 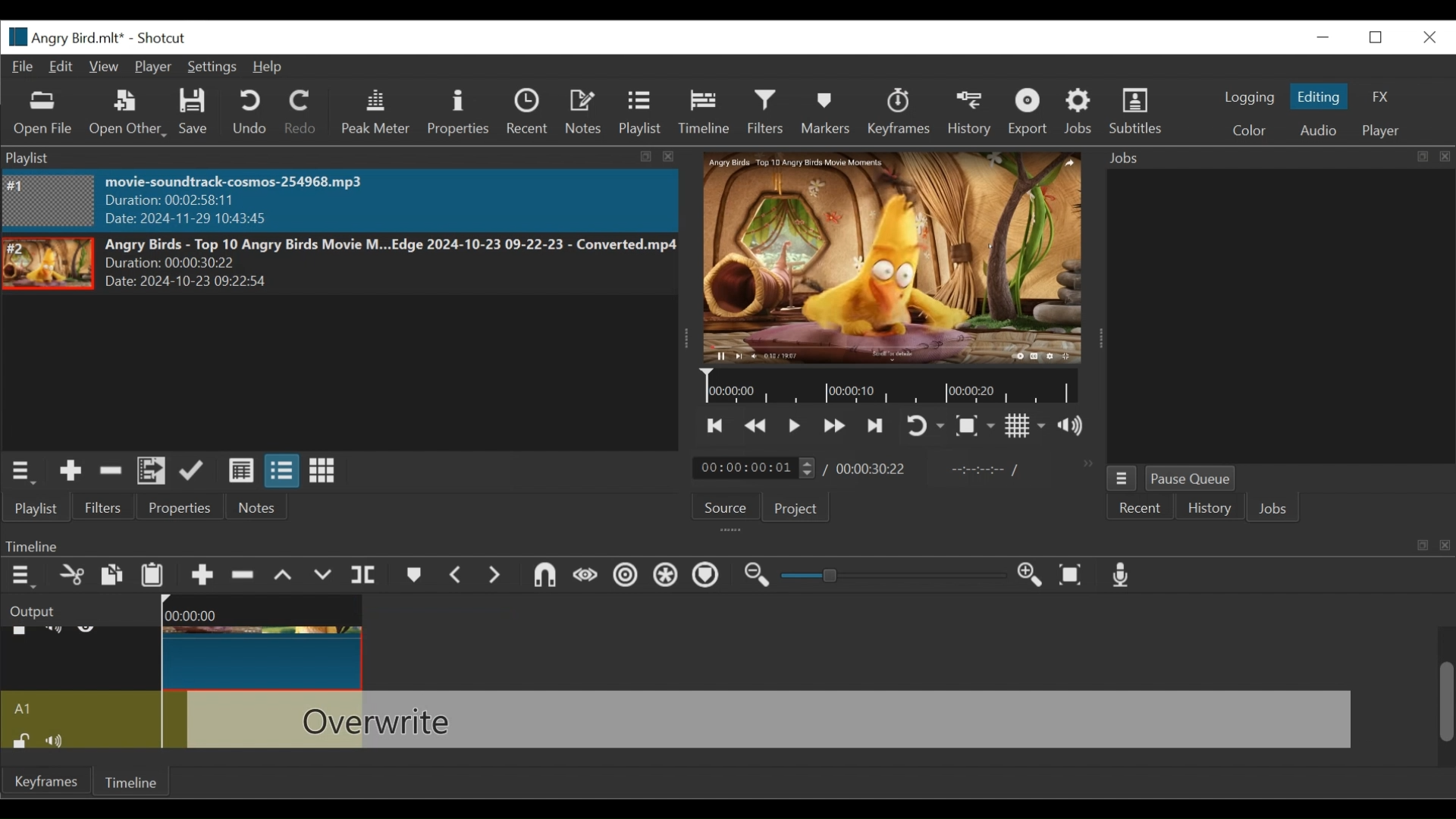 I want to click on Zoom timeline to fit, so click(x=1073, y=575).